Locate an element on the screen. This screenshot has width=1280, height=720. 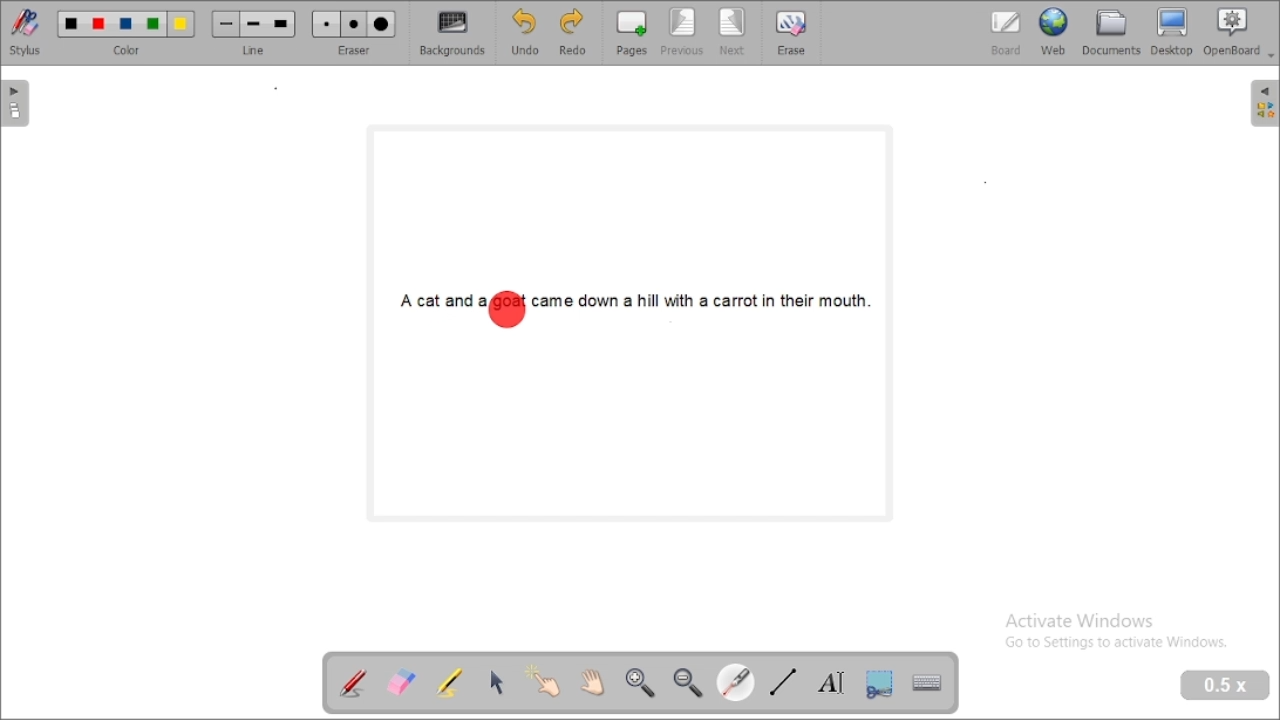
display virtual keyboard is located at coordinates (928, 683).